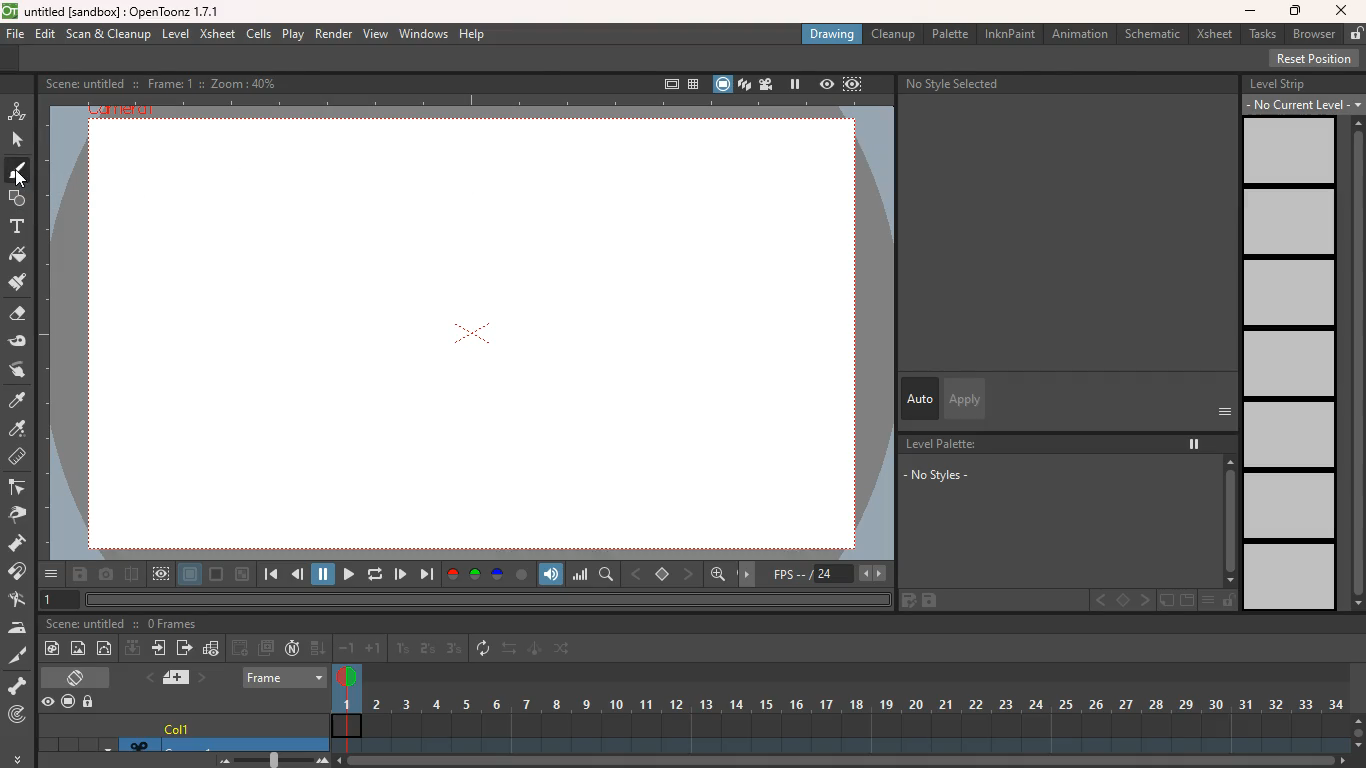 This screenshot has height=768, width=1366. What do you see at coordinates (935, 601) in the screenshot?
I see `save` at bounding box center [935, 601].